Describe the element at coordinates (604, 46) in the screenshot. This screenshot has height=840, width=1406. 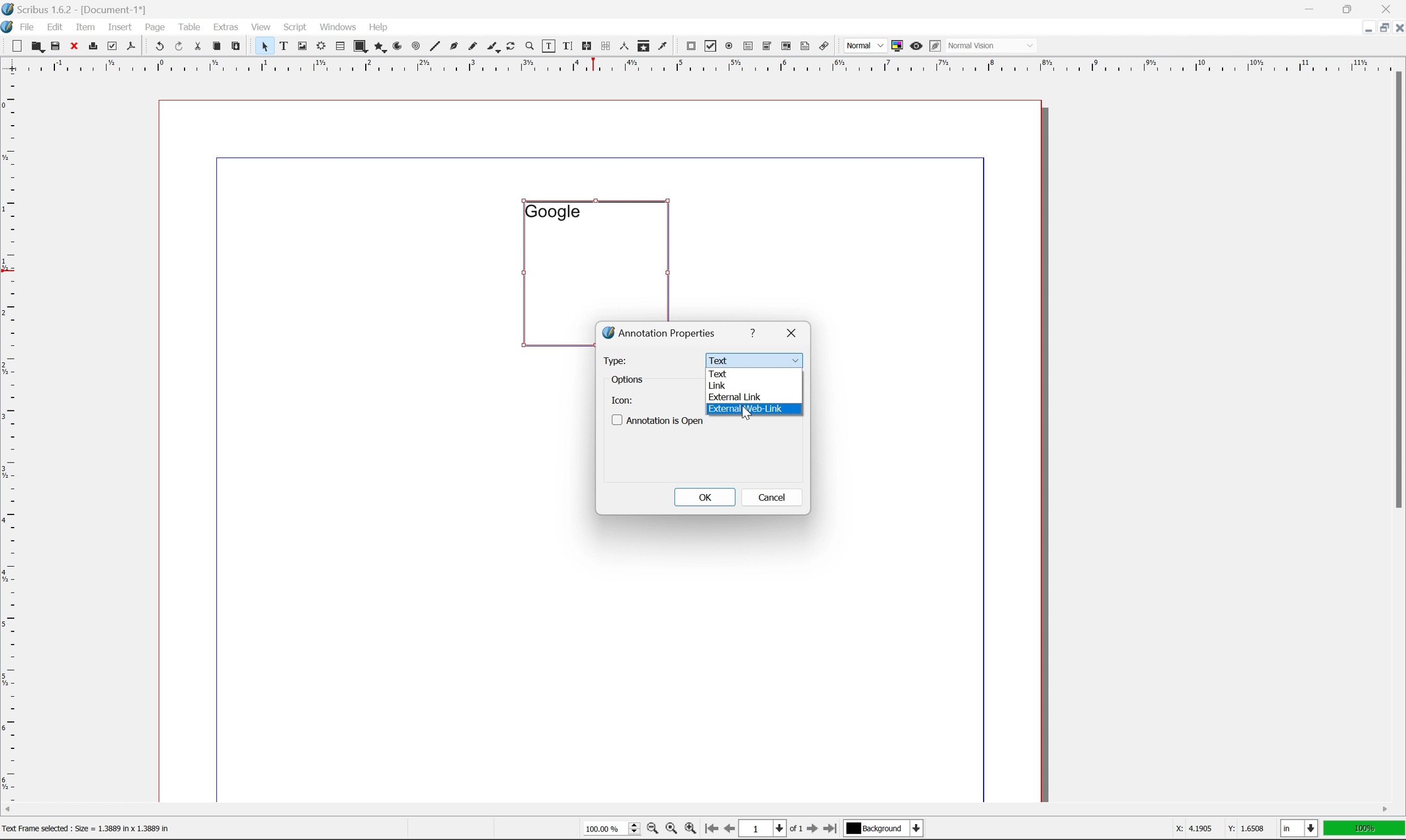
I see `unlink text frames` at that location.